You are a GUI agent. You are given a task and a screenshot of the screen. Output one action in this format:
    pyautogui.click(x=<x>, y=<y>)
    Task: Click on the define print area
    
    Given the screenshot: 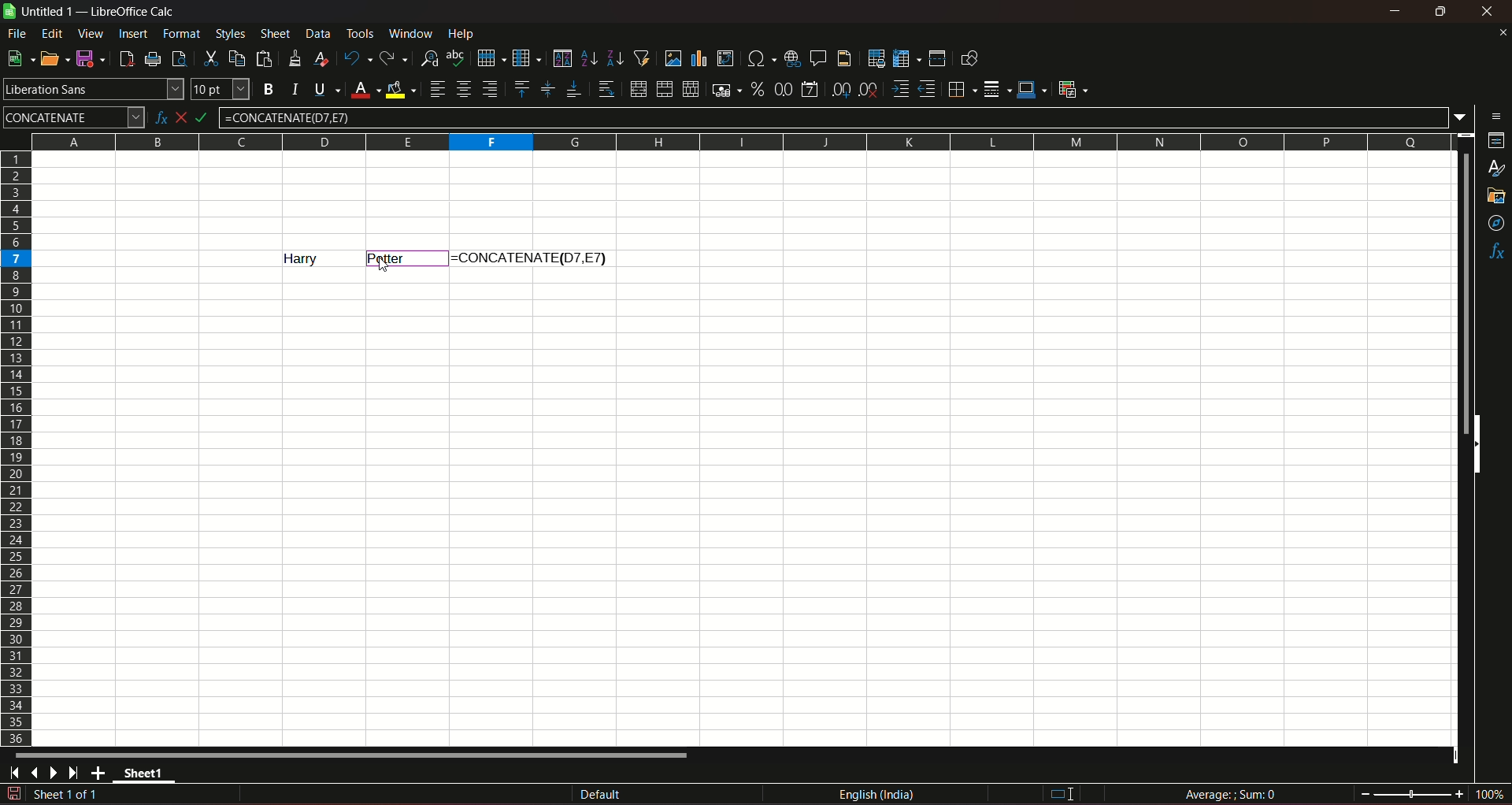 What is the action you would take?
    pyautogui.click(x=876, y=59)
    